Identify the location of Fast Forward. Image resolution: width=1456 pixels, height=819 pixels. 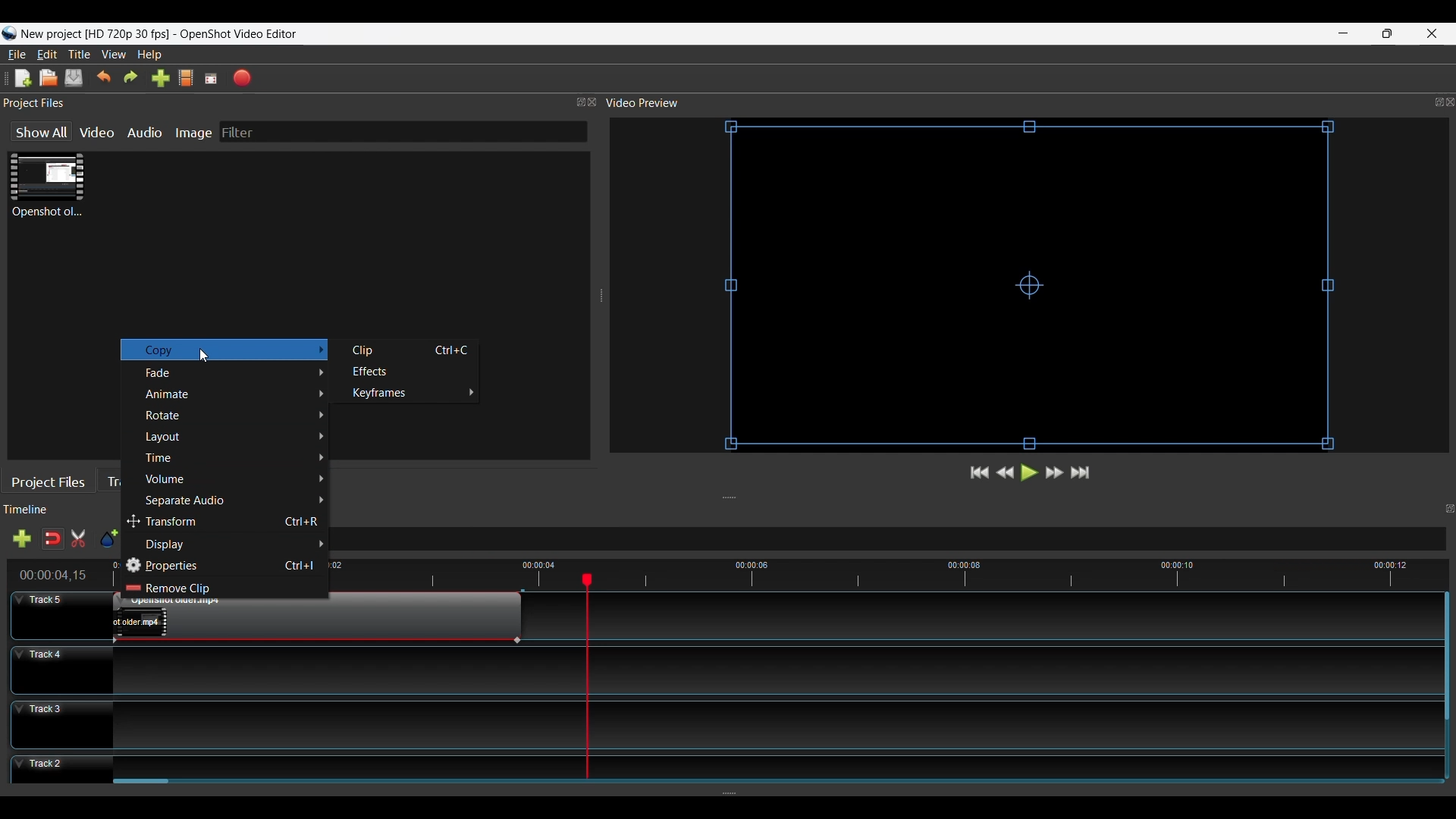
(1055, 472).